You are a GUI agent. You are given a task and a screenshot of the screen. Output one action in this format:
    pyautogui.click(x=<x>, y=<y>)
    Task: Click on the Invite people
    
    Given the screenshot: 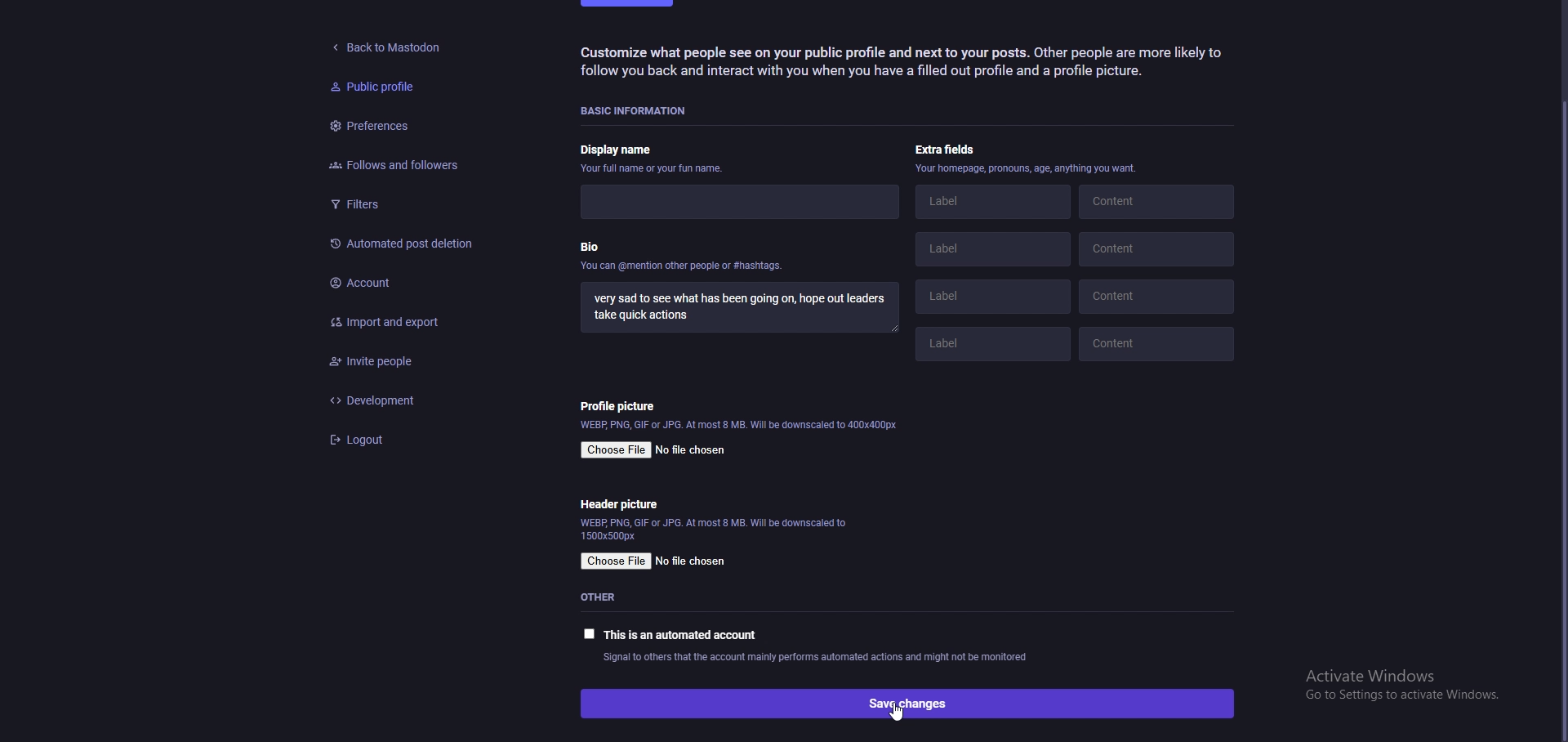 What is the action you would take?
    pyautogui.click(x=413, y=362)
    